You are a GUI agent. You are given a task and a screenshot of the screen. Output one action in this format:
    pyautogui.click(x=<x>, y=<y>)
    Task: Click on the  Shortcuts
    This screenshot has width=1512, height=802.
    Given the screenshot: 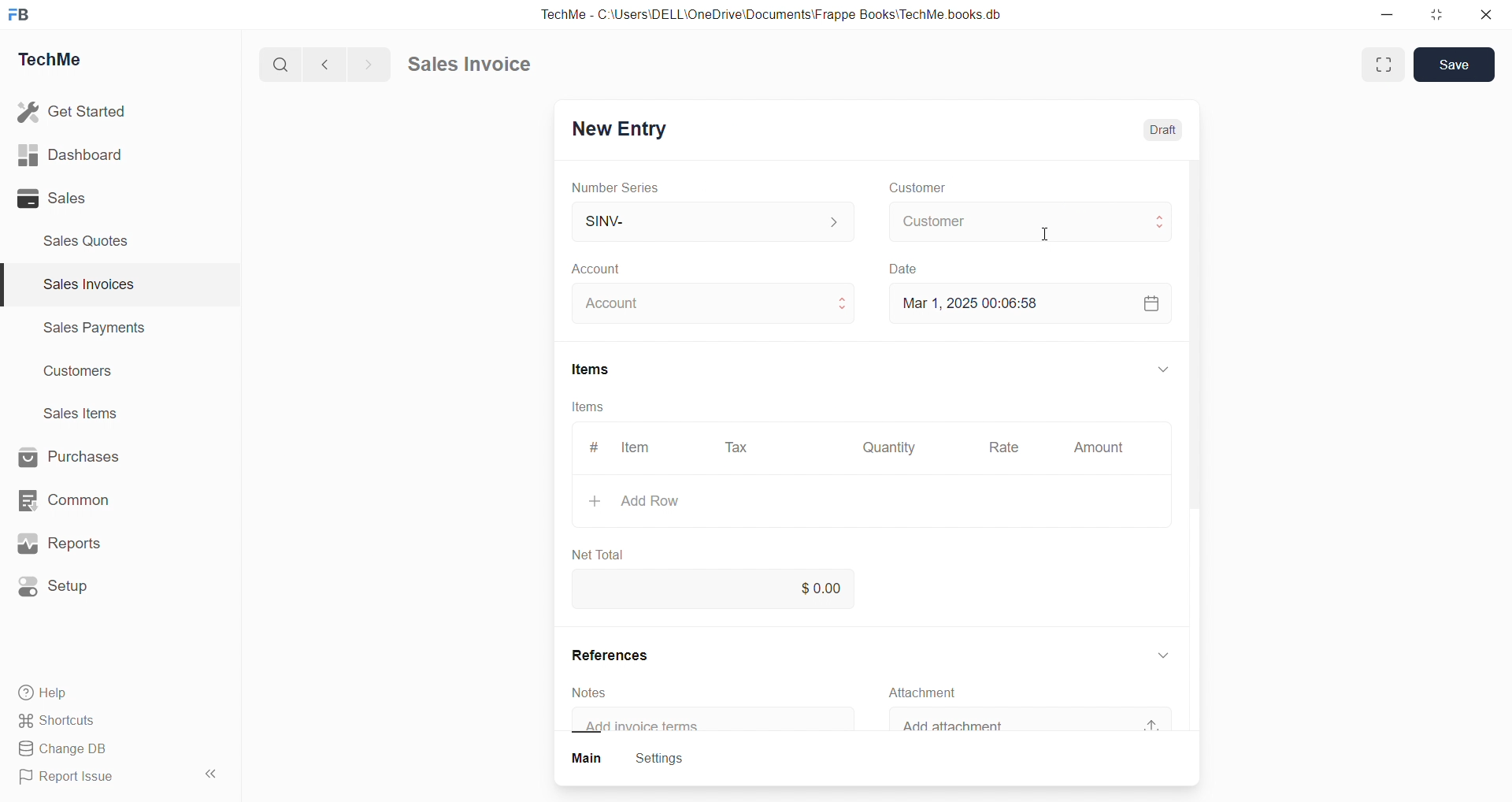 What is the action you would take?
    pyautogui.click(x=63, y=722)
    